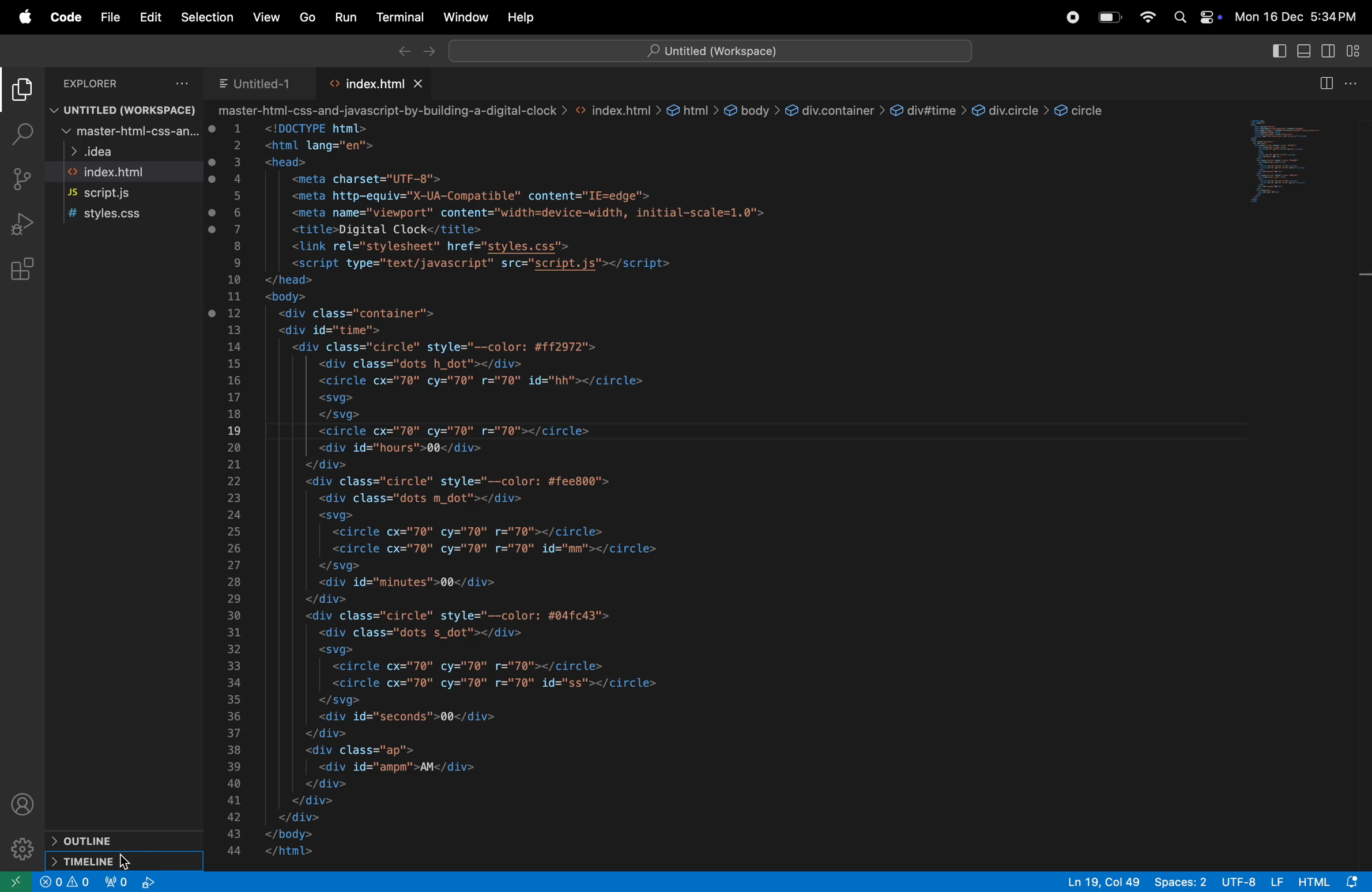 This screenshot has width=1372, height=892. I want to click on syles.js, so click(111, 214).